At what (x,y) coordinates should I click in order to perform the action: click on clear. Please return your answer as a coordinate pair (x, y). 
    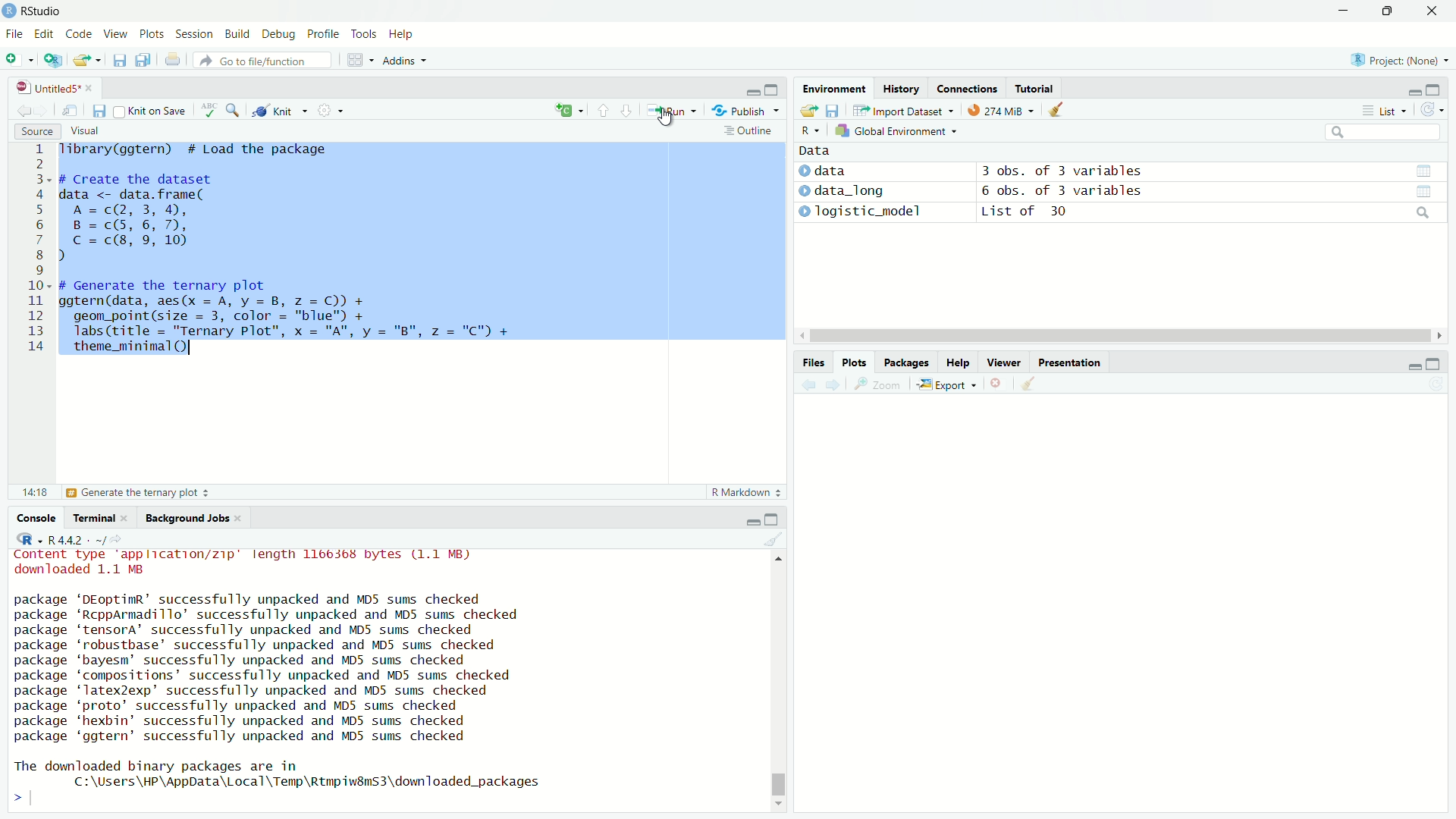
    Looking at the image, I should click on (1028, 383).